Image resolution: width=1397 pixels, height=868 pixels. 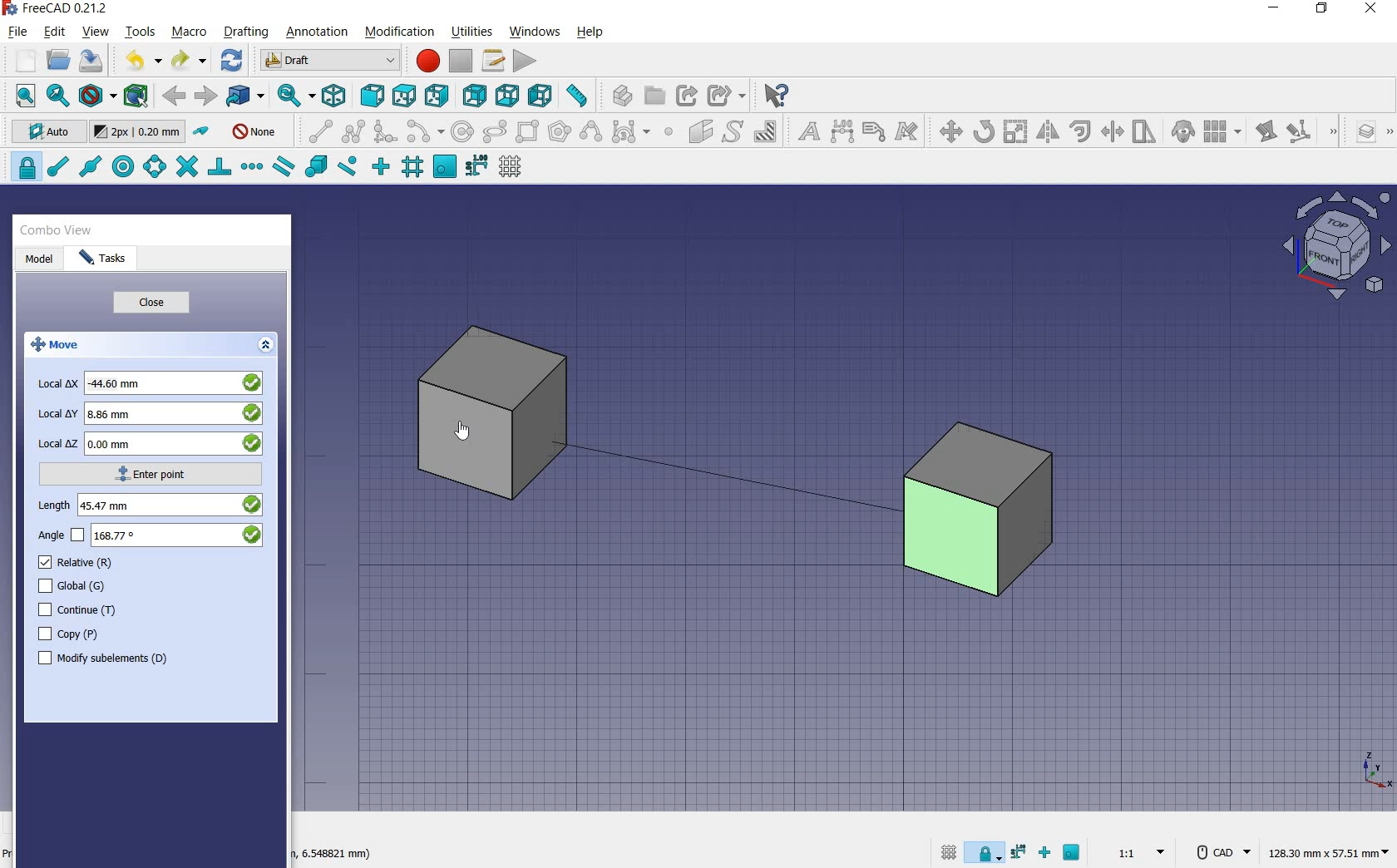 I want to click on local y, so click(x=152, y=412).